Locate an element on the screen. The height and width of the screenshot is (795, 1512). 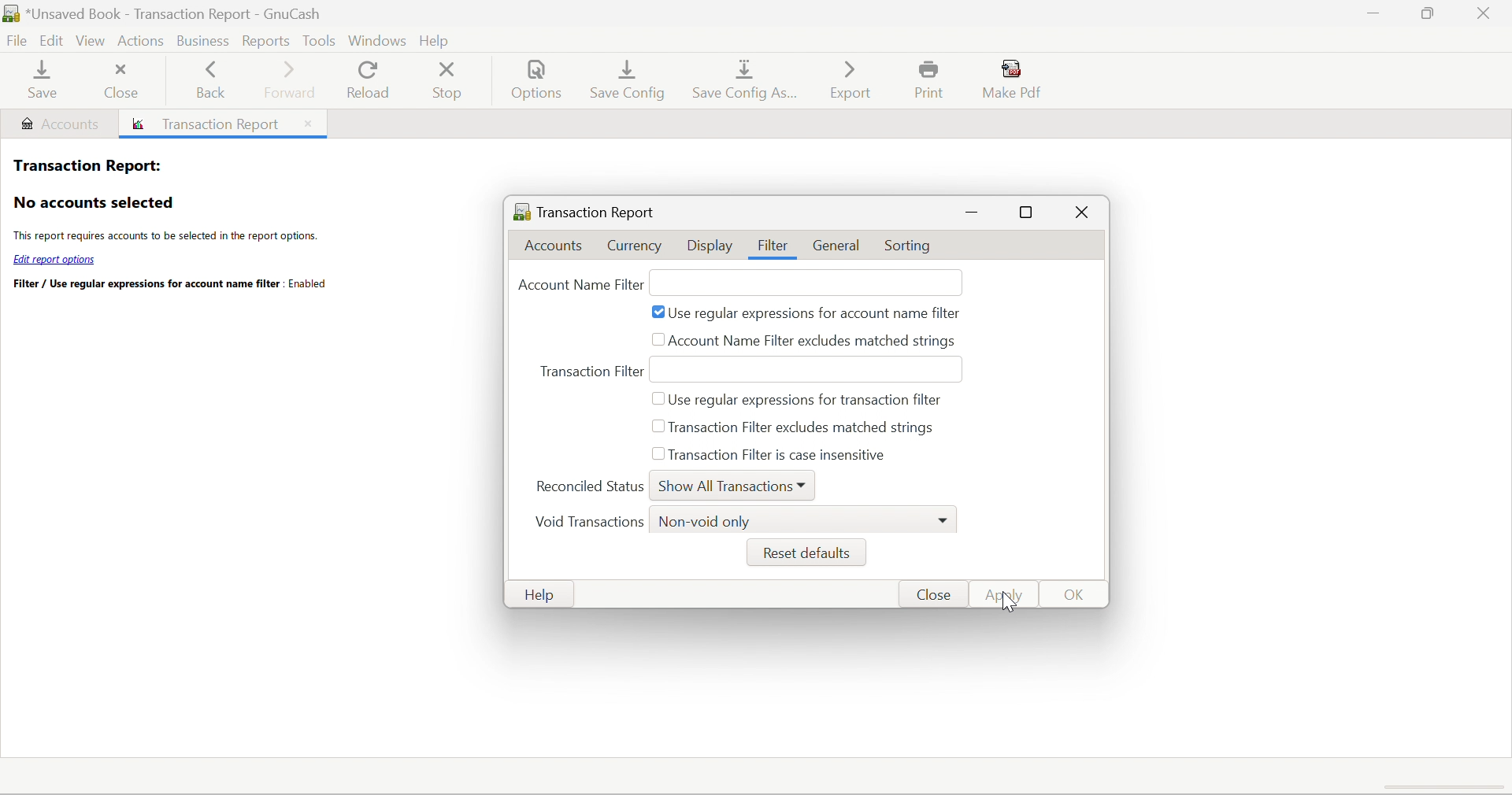
Cursor is located at coordinates (1009, 601).